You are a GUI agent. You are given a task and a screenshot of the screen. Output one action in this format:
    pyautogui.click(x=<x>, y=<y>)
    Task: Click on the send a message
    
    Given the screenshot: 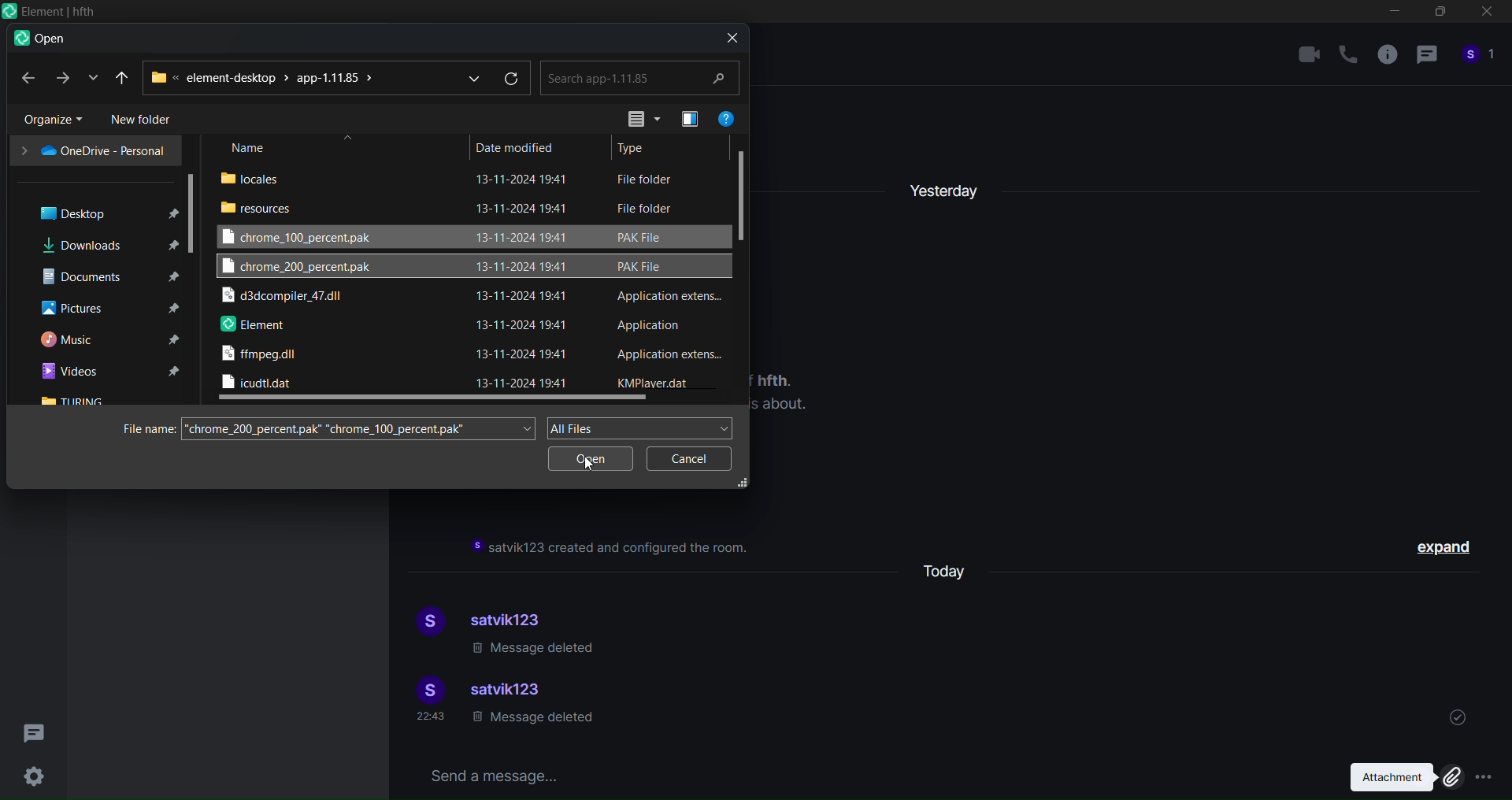 What is the action you would take?
    pyautogui.click(x=862, y=774)
    